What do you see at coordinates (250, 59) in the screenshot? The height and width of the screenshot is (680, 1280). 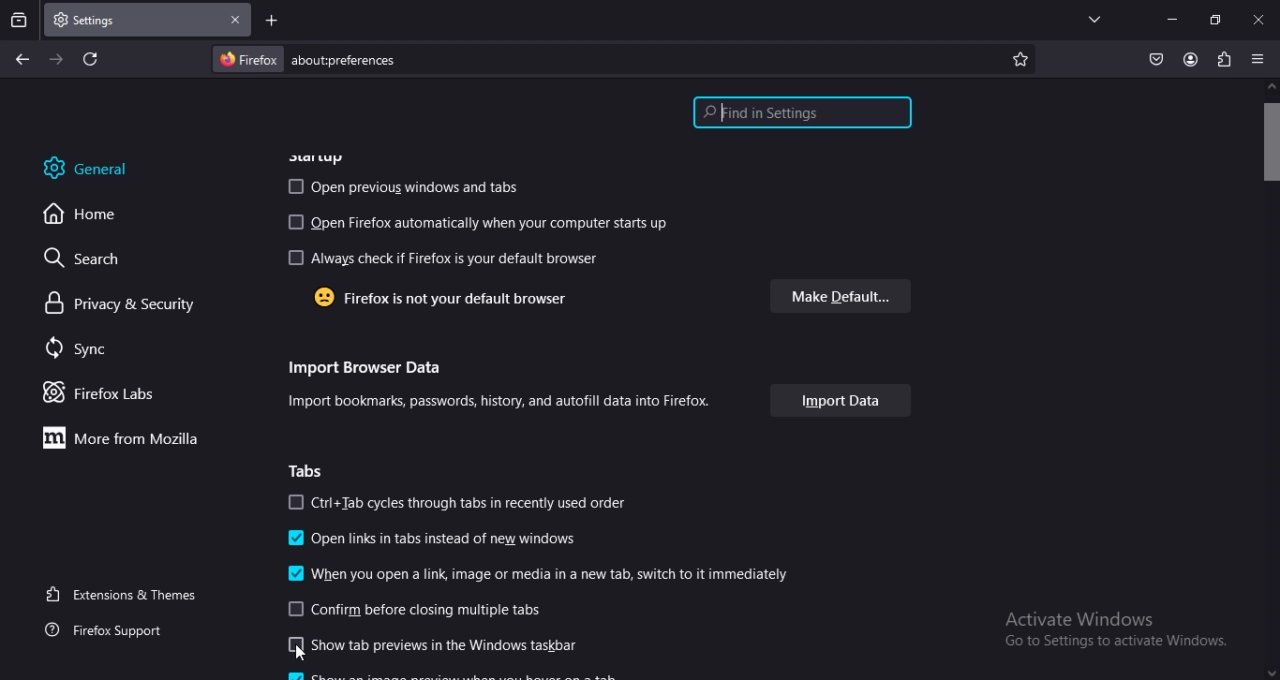 I see ` Firefox` at bounding box center [250, 59].